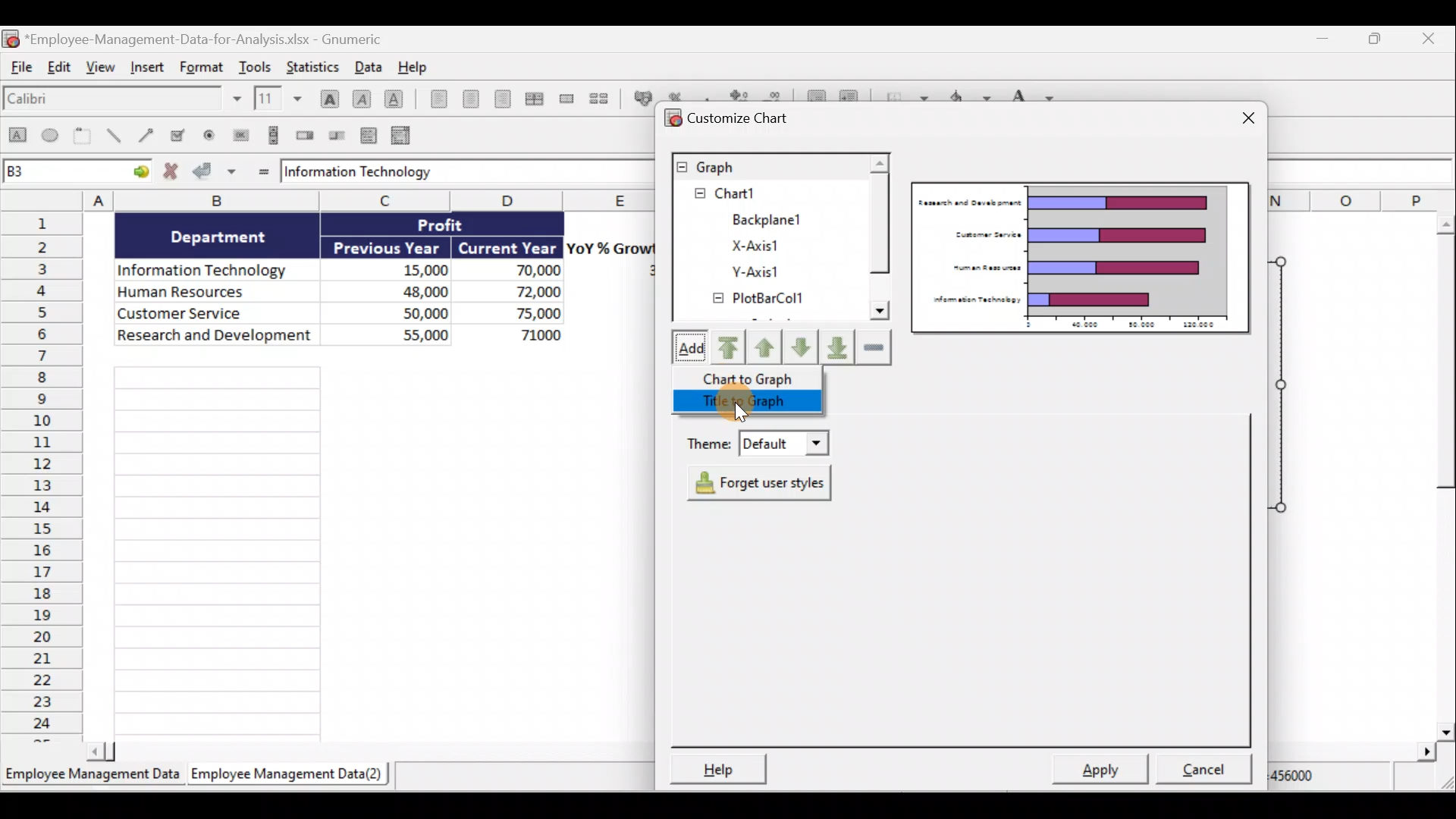 The width and height of the screenshot is (1456, 819). What do you see at coordinates (265, 171) in the screenshot?
I see `Enter formula` at bounding box center [265, 171].